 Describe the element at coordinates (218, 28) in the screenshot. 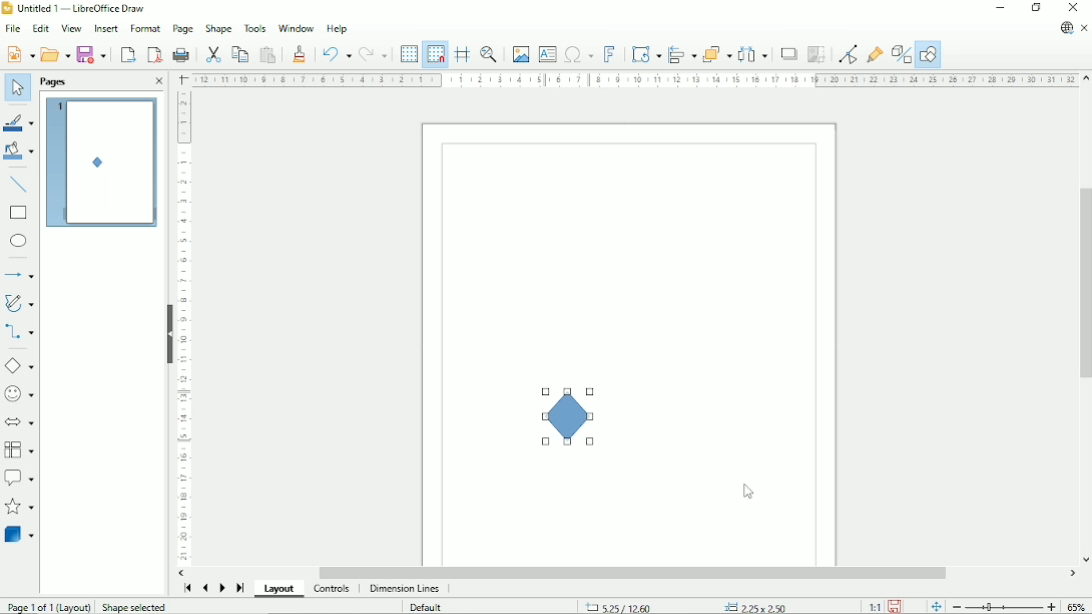

I see `Shape` at that location.